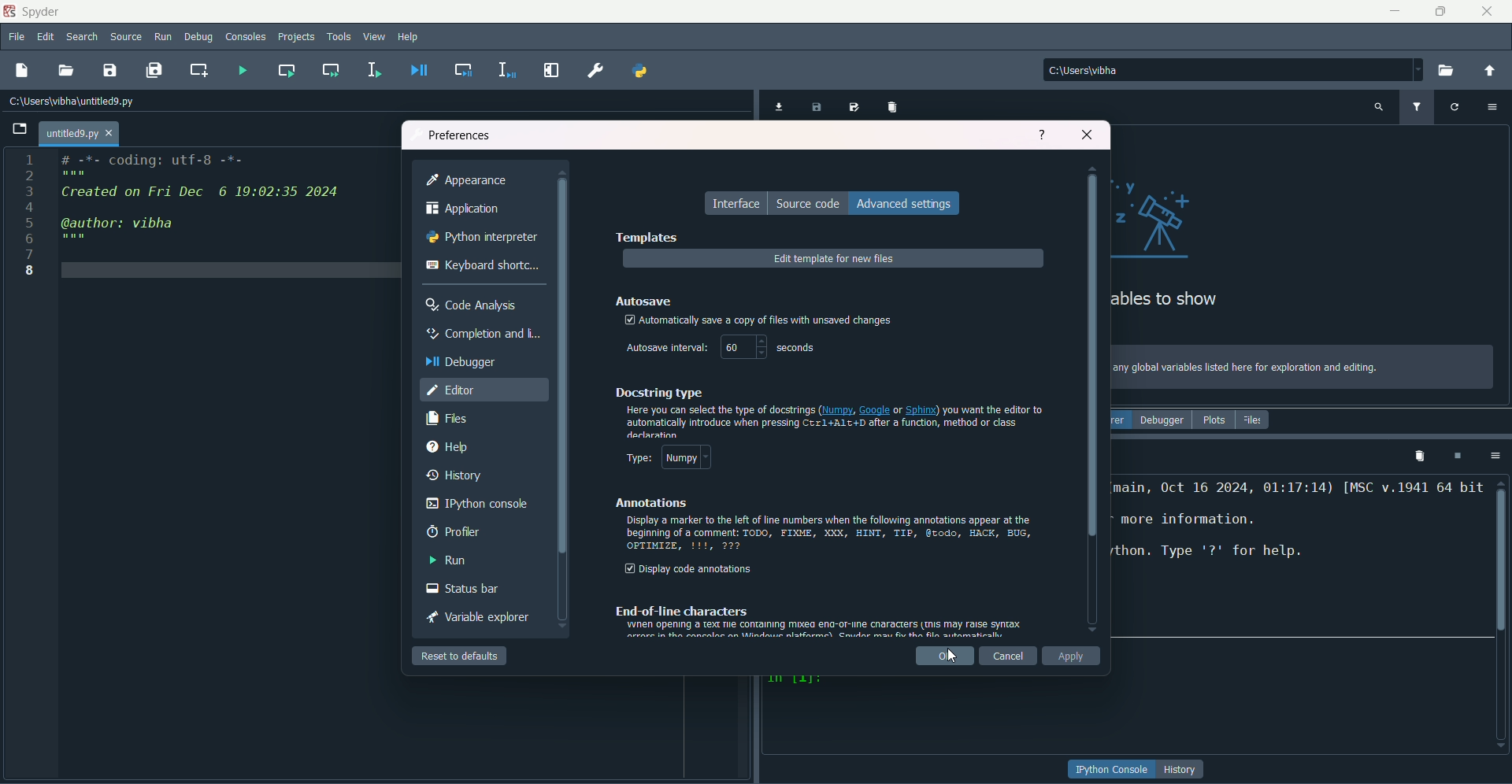 Image resolution: width=1512 pixels, height=784 pixels. I want to click on debug file, so click(414, 70).